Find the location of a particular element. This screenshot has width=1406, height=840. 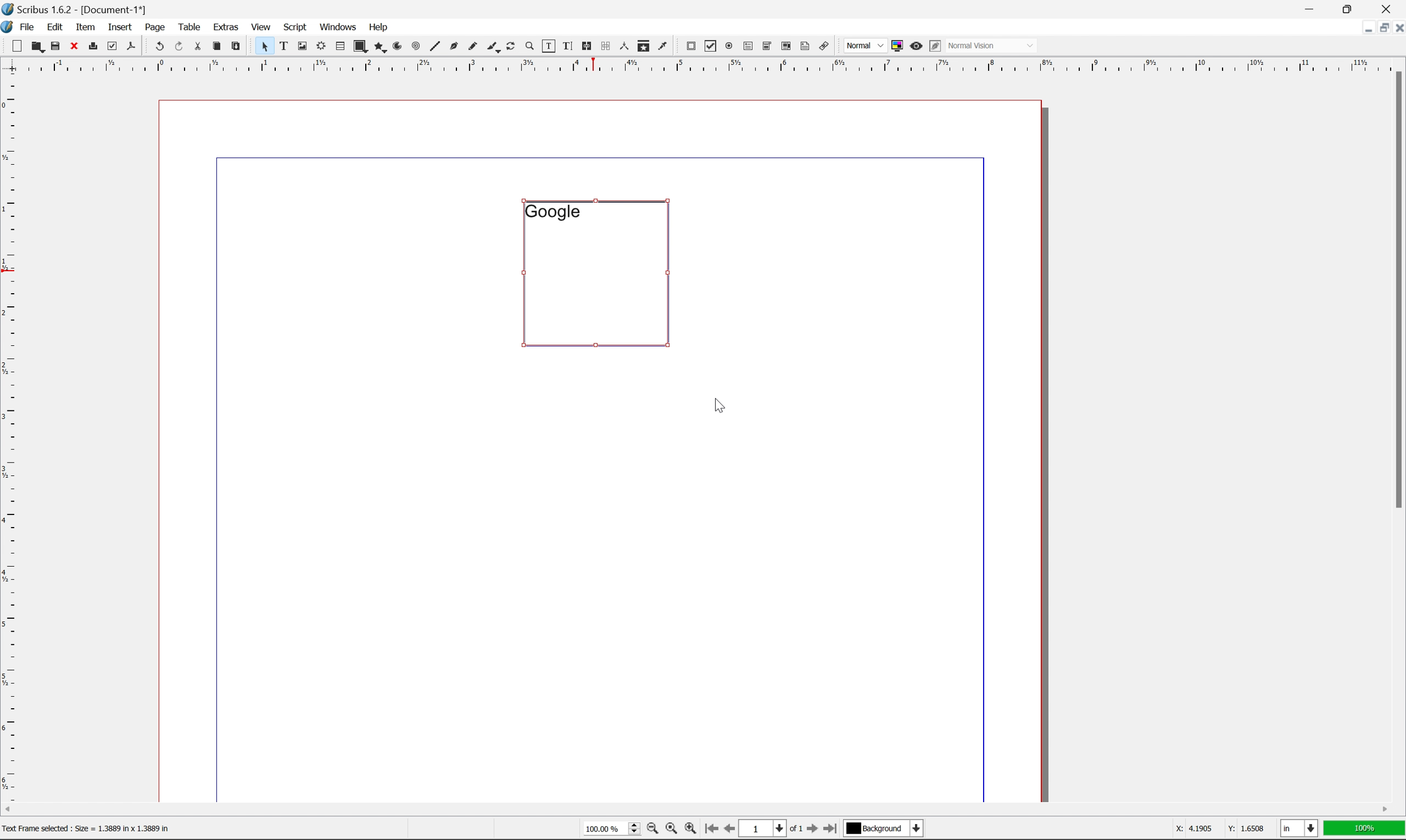

edit text with story editor is located at coordinates (565, 45).